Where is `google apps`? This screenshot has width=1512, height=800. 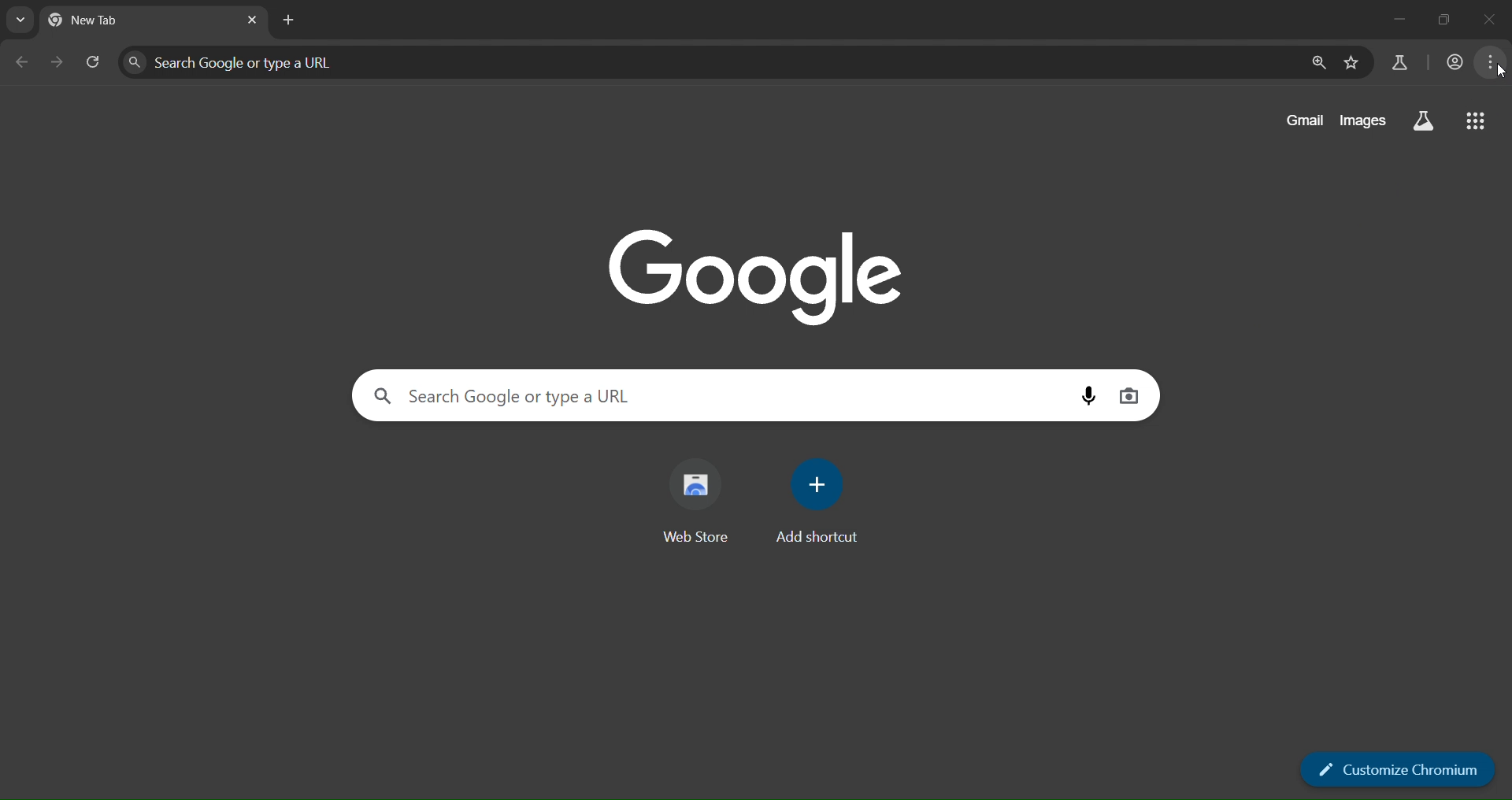
google apps is located at coordinates (1475, 122).